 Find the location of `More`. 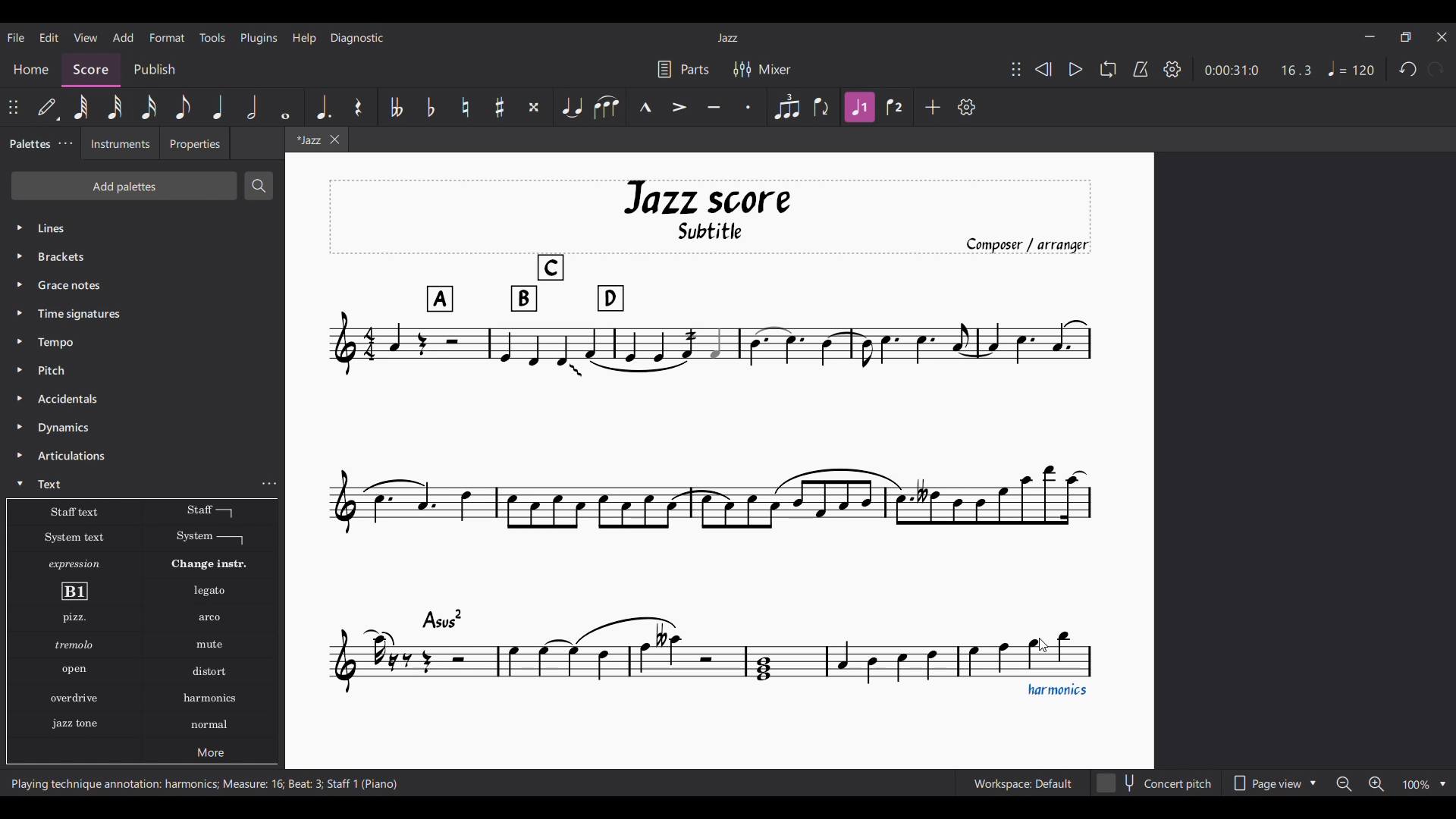

More is located at coordinates (213, 755).